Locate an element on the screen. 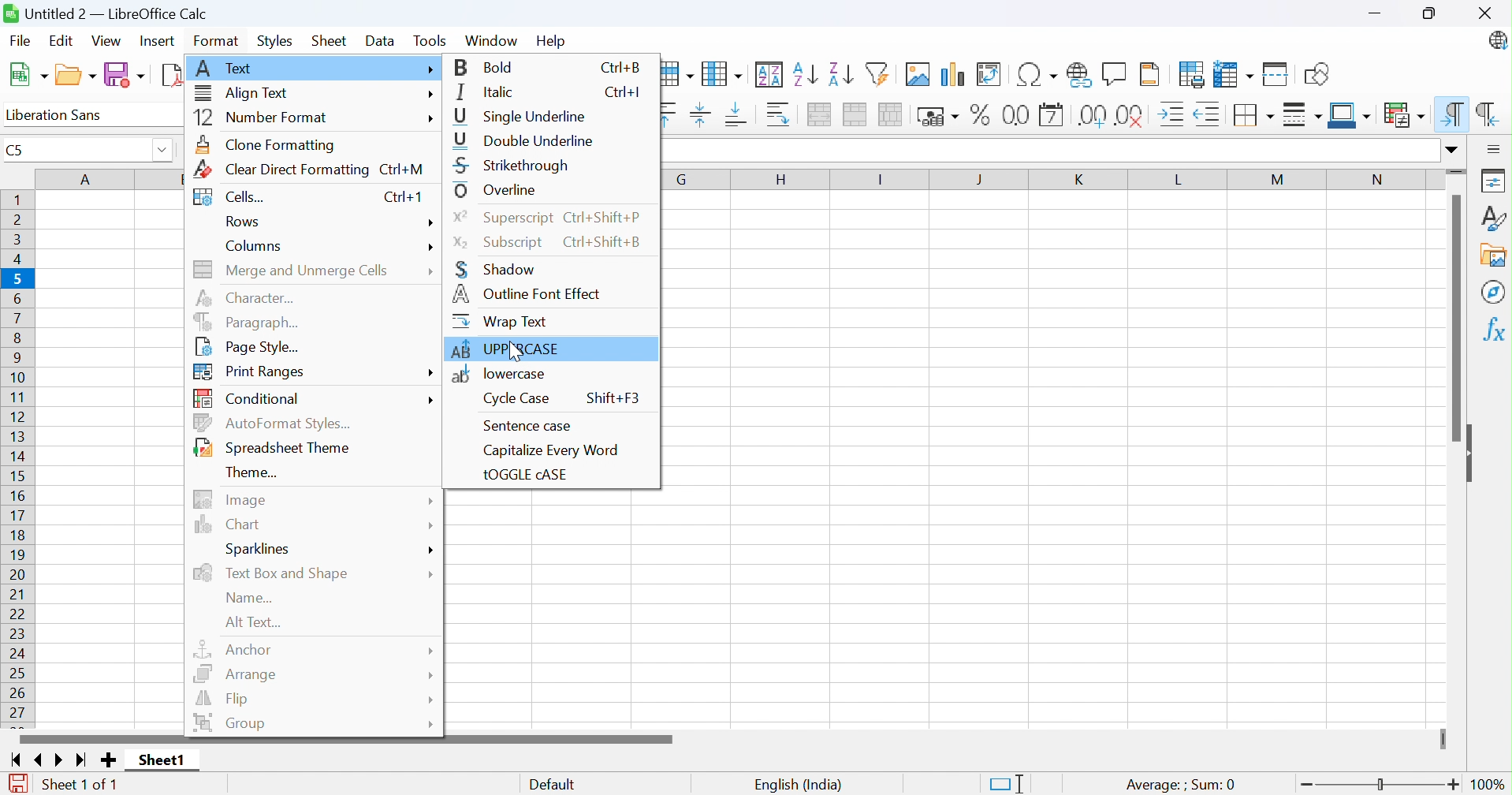 This screenshot has width=1512, height=795. Scroll to next sheet is located at coordinates (58, 762).